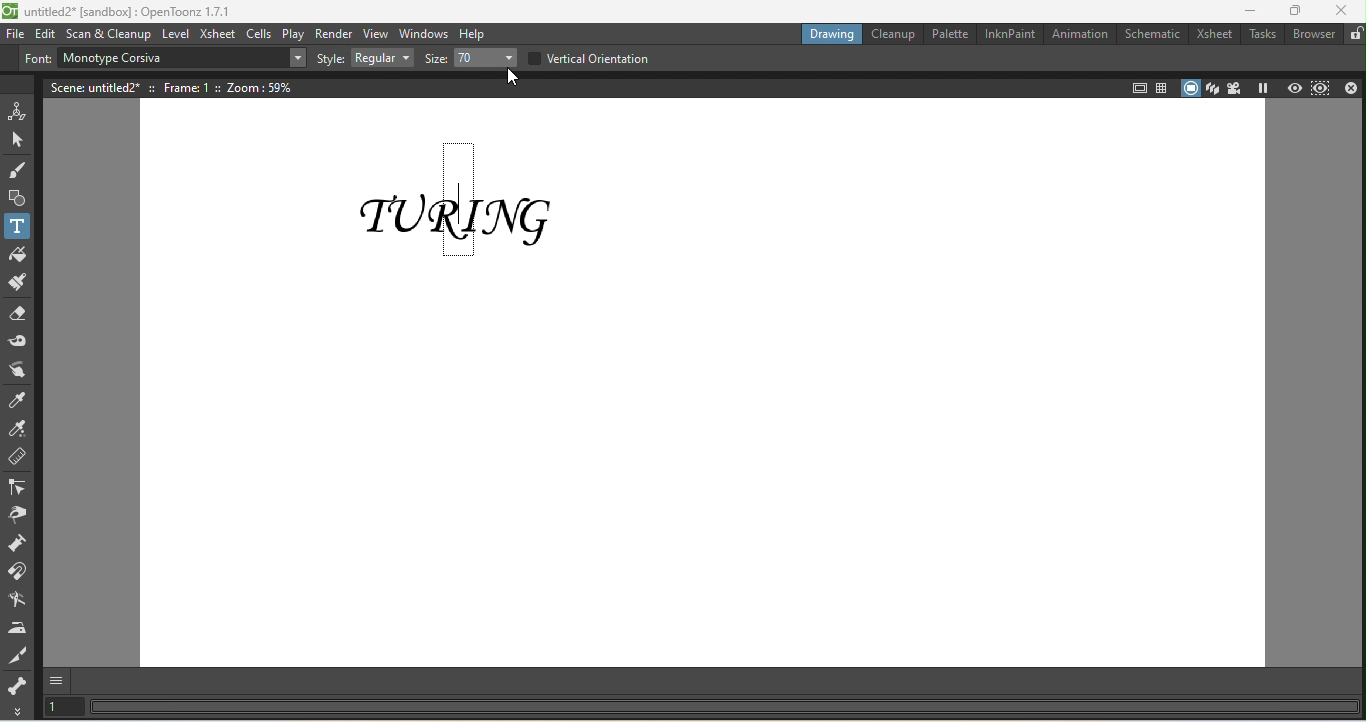  What do you see at coordinates (17, 109) in the screenshot?
I see `Animate tool` at bounding box center [17, 109].